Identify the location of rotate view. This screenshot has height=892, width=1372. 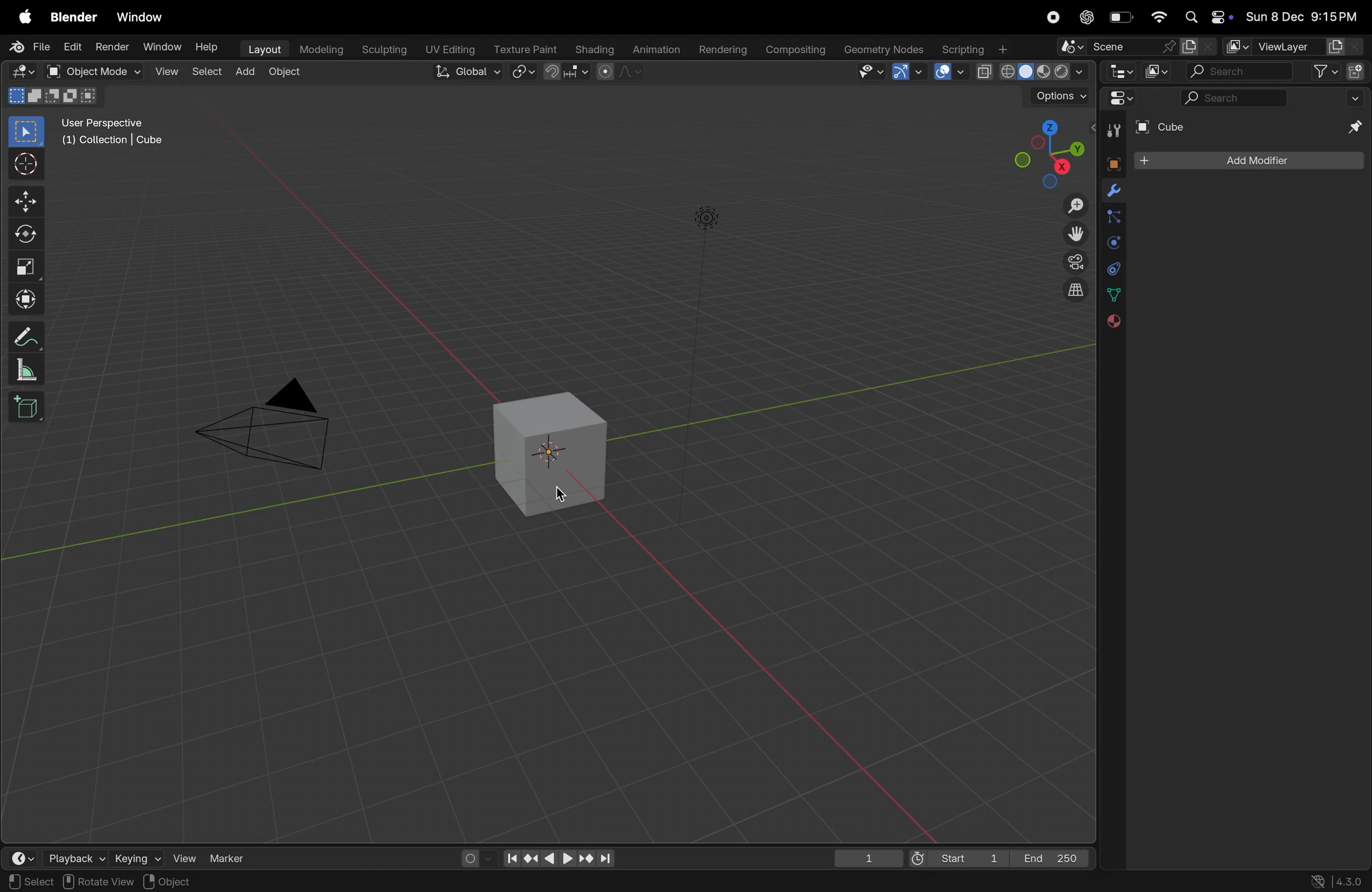
(100, 882).